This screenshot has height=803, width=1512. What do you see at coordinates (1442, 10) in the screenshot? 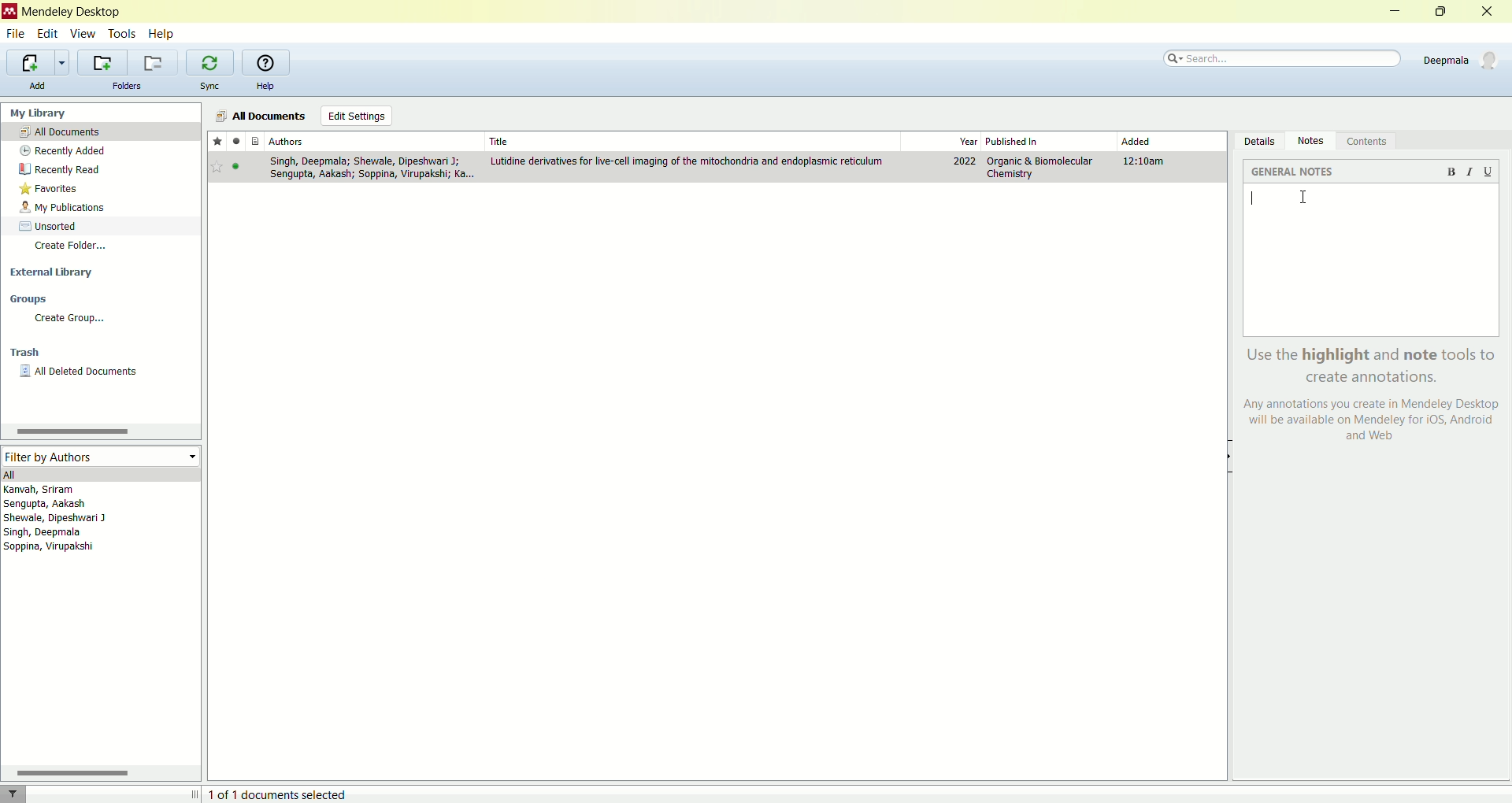
I see `maximize` at bounding box center [1442, 10].